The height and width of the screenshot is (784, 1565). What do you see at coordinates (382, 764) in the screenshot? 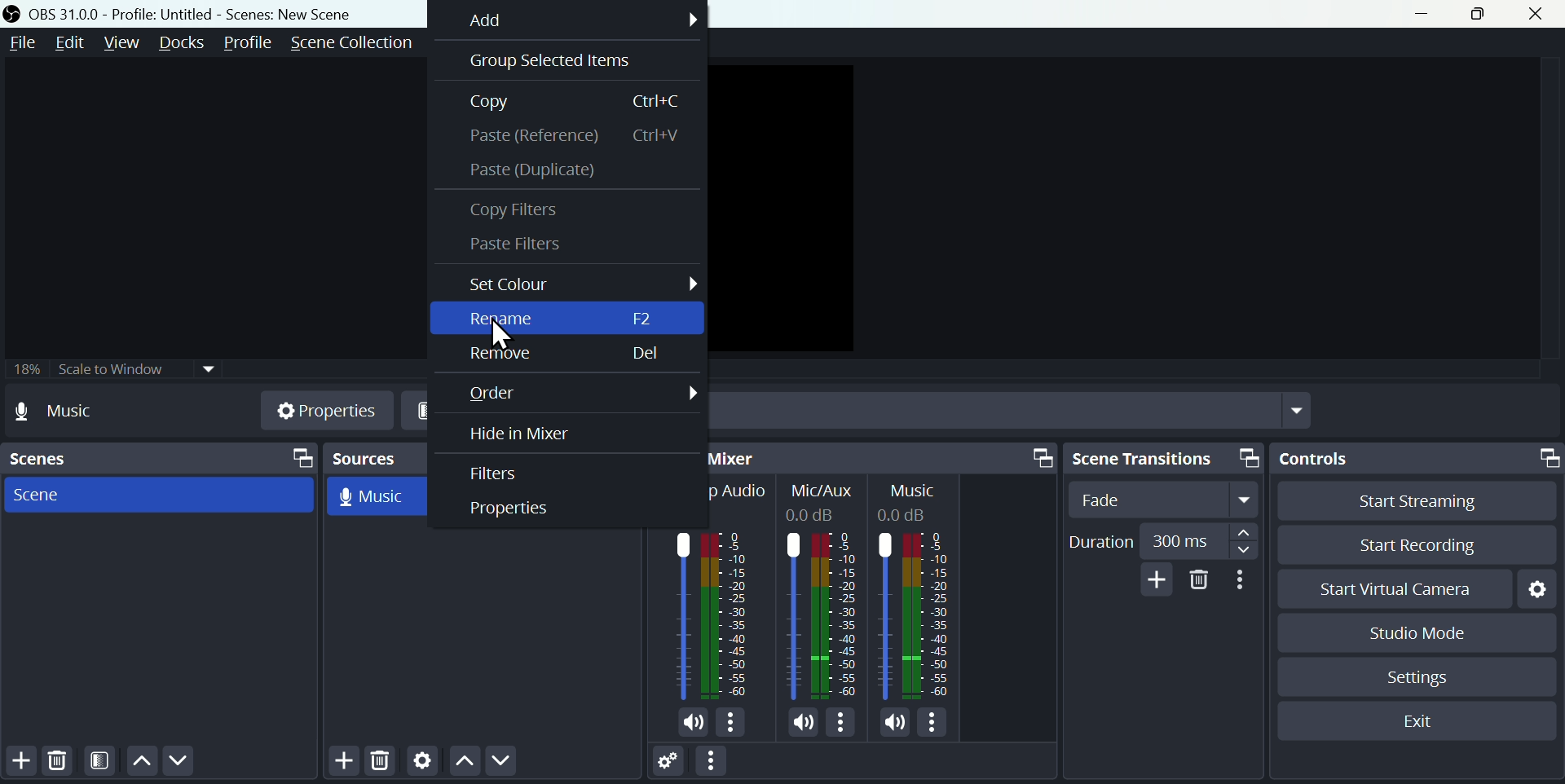
I see `Delete` at bounding box center [382, 764].